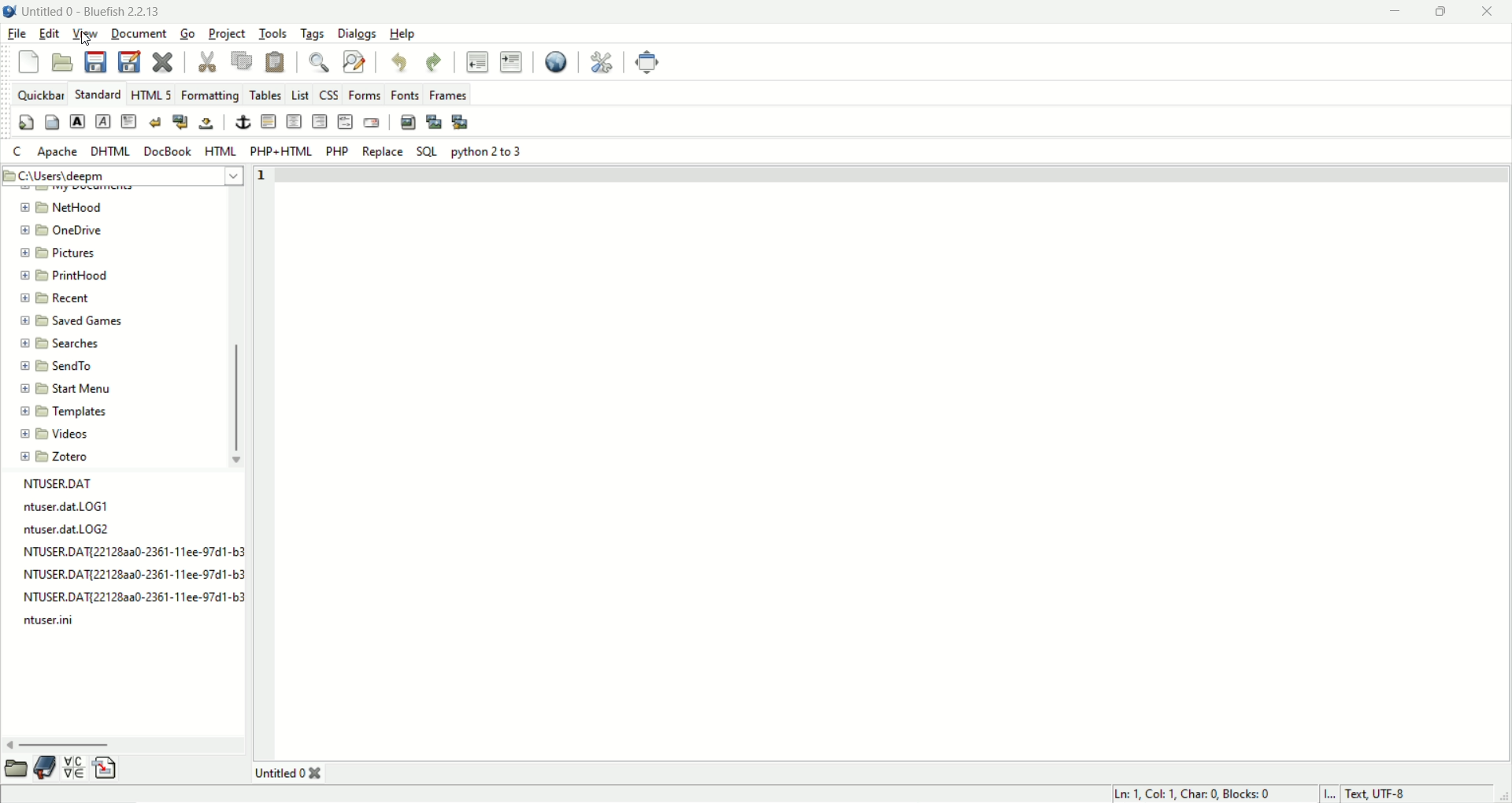 The image size is (1512, 803). I want to click on strong, so click(76, 121).